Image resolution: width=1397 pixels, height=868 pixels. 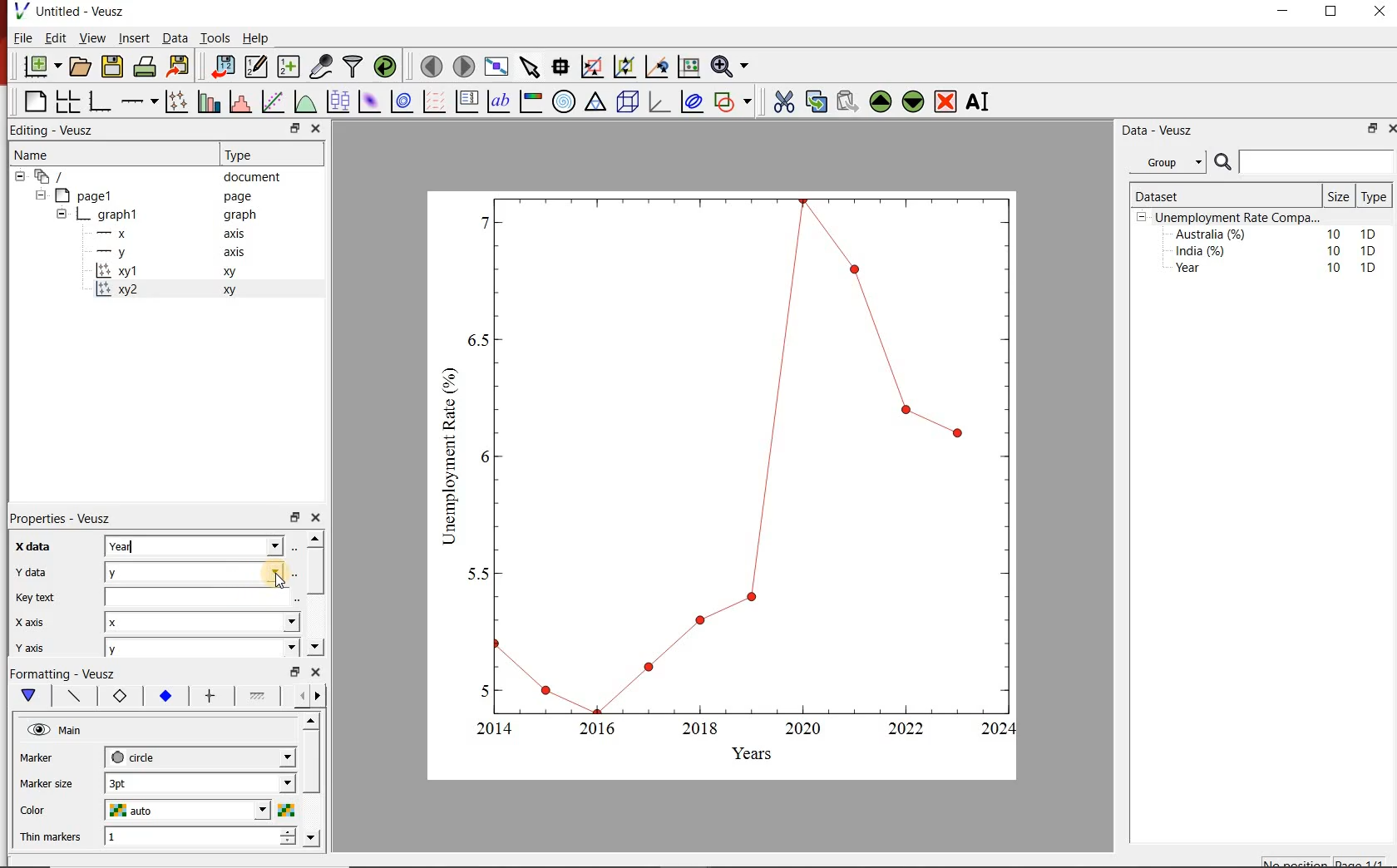 What do you see at coordinates (239, 101) in the screenshot?
I see `histograms` at bounding box center [239, 101].